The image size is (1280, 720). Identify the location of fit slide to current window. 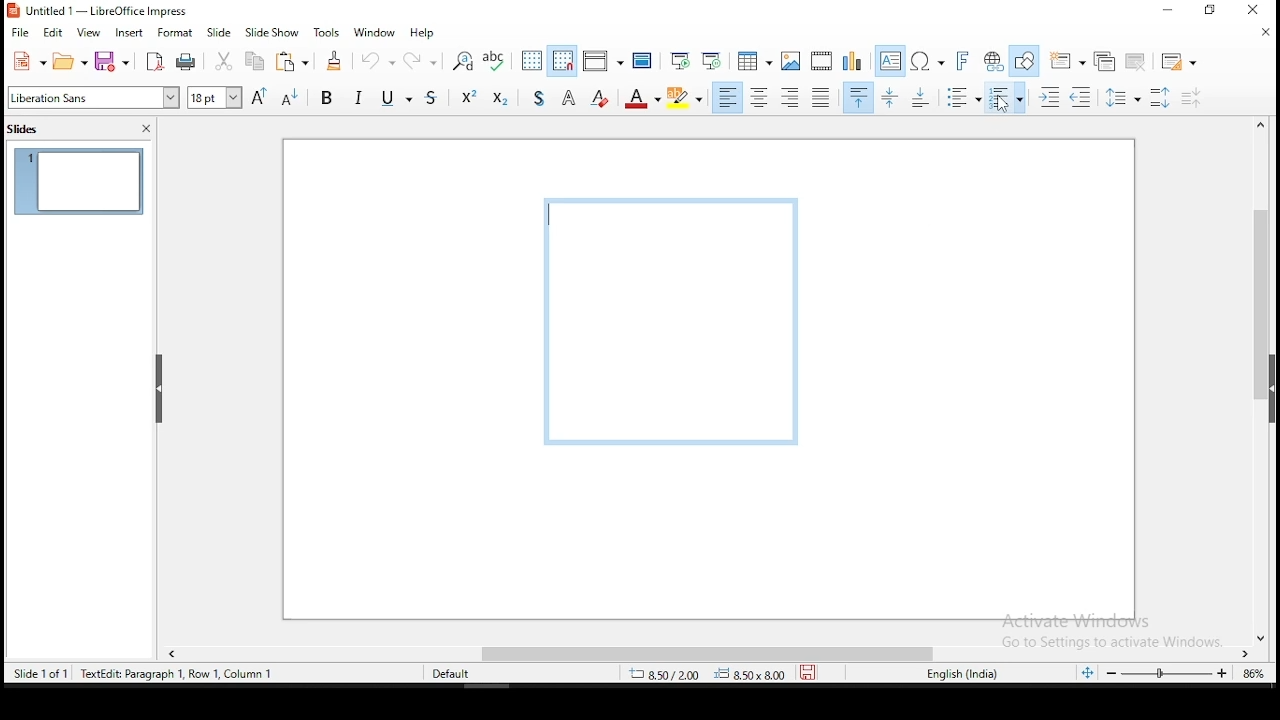
(1087, 672).